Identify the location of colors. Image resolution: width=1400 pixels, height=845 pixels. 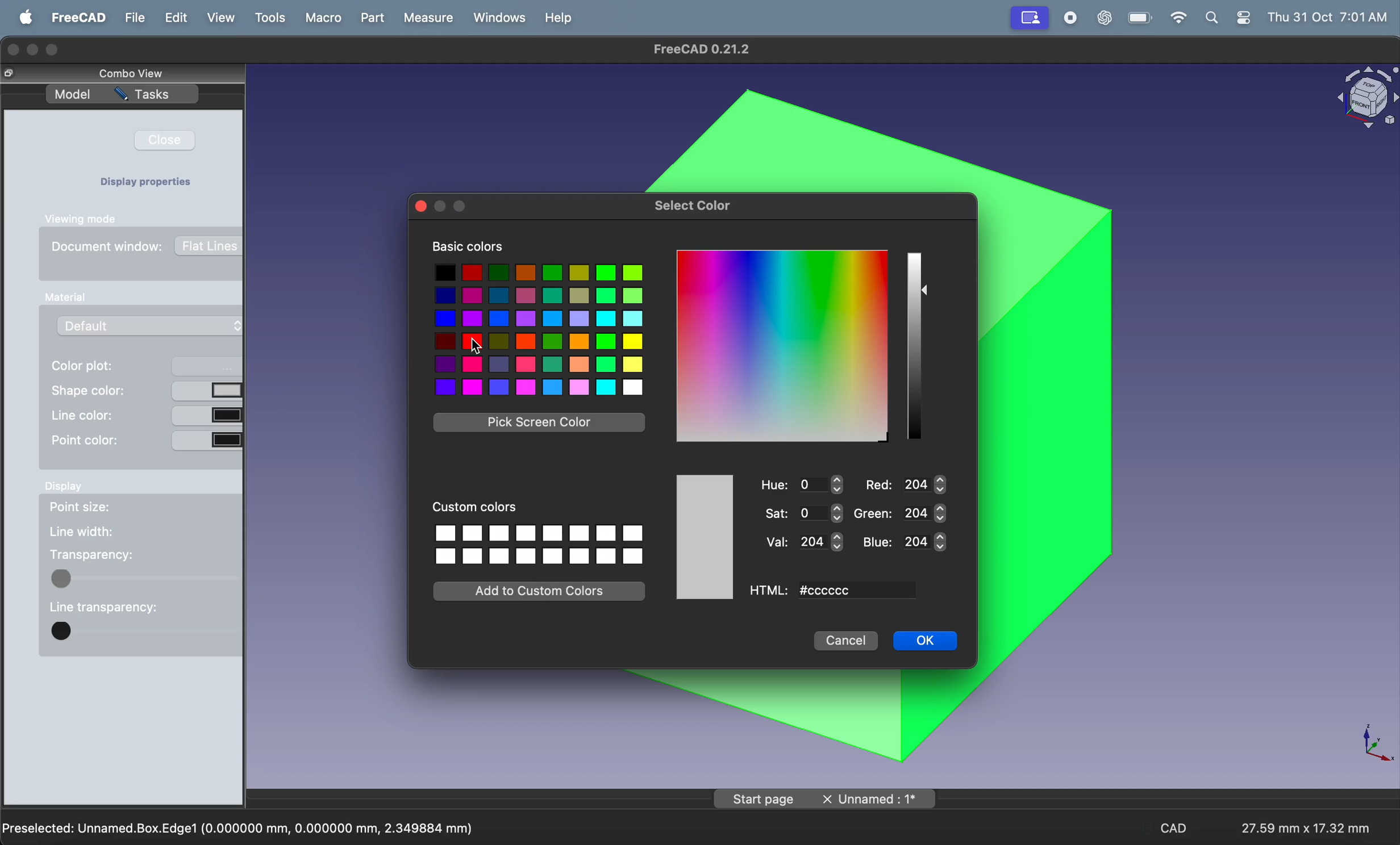
(539, 329).